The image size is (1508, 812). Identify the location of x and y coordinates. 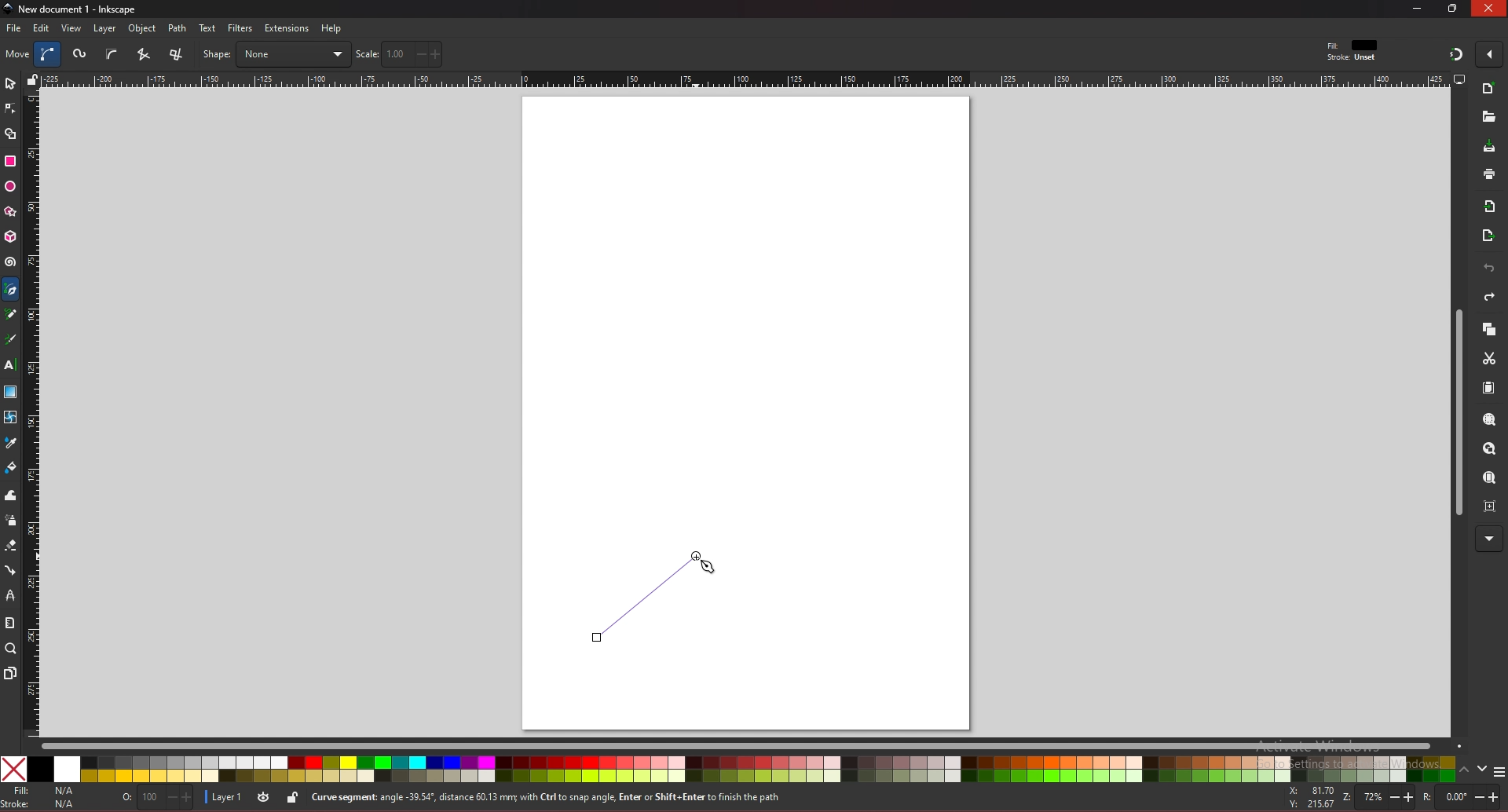
(1310, 797).